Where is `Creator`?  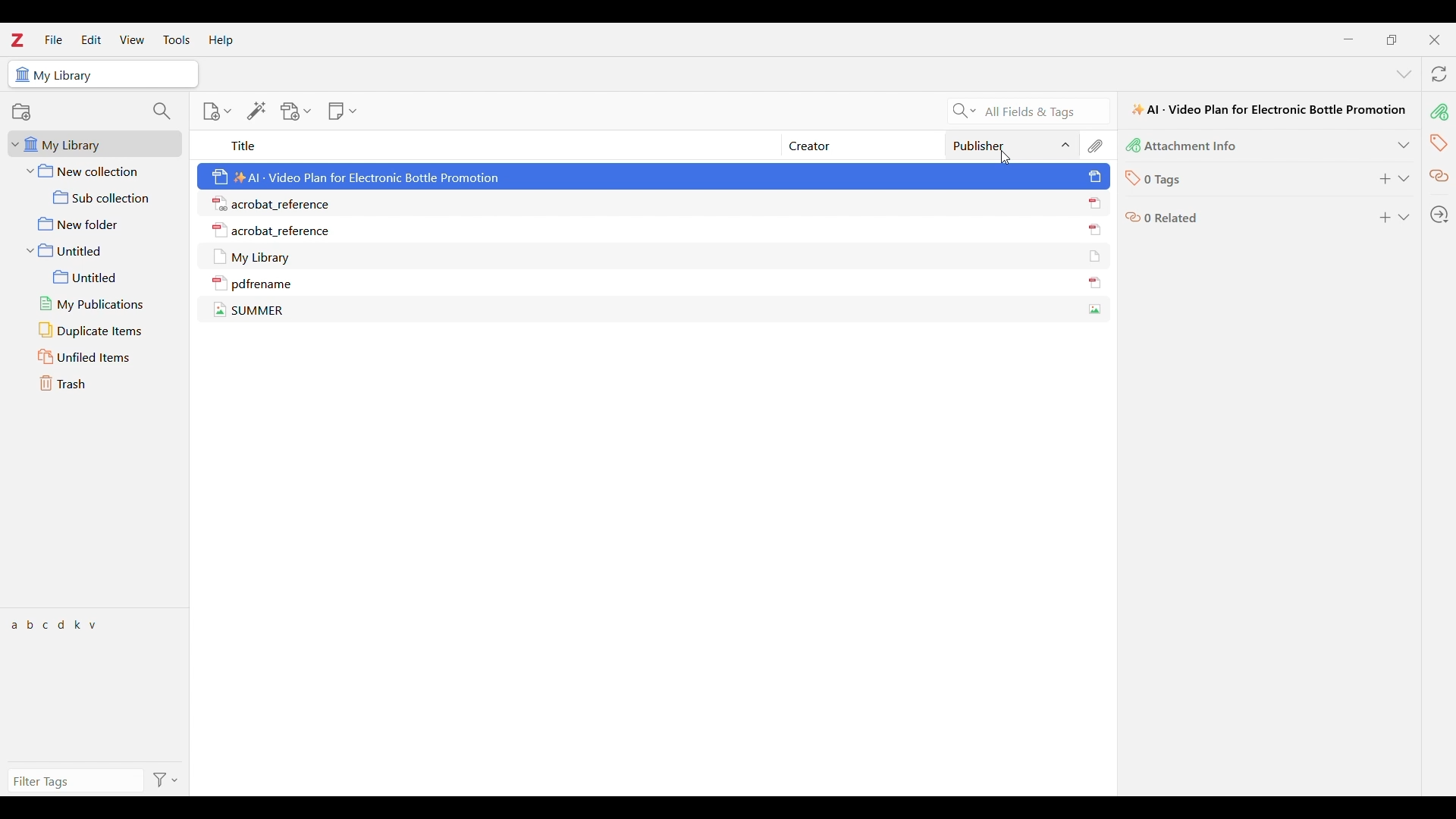
Creator is located at coordinates (864, 145).